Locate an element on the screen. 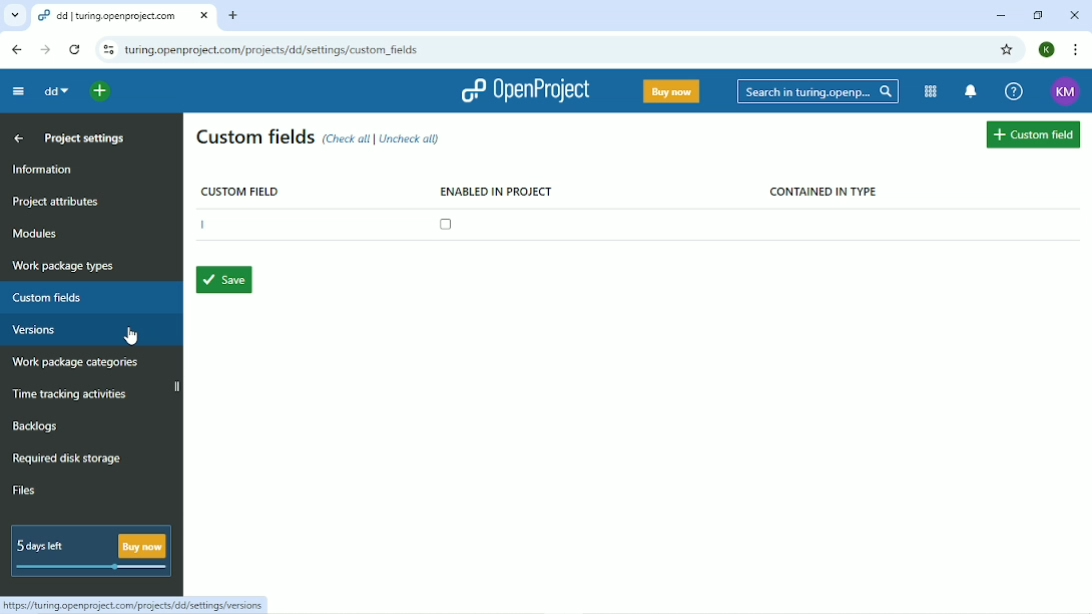 The image size is (1092, 614). Custom fields is located at coordinates (1033, 136).